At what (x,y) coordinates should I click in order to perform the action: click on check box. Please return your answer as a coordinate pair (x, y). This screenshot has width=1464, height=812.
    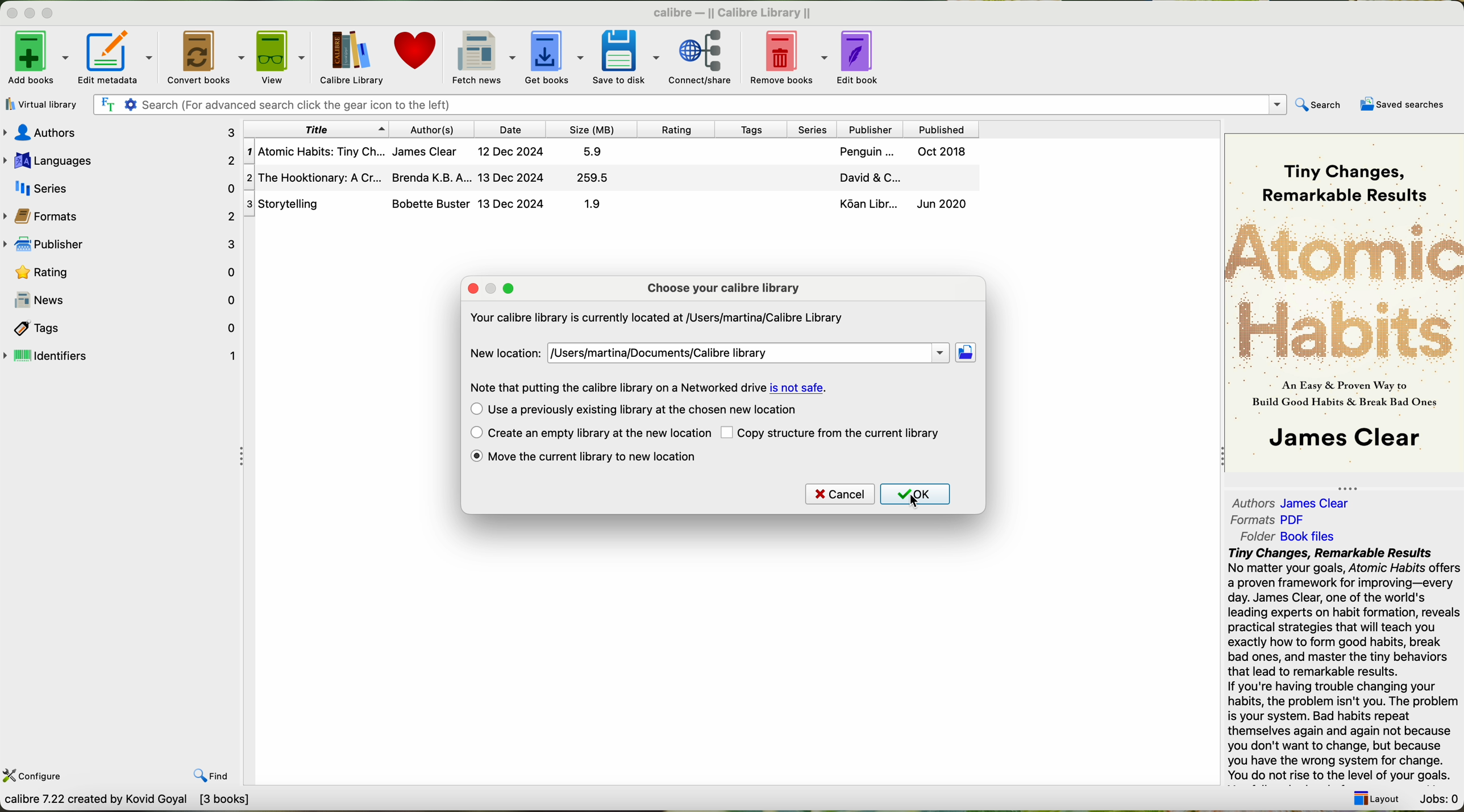
    Looking at the image, I should click on (728, 434).